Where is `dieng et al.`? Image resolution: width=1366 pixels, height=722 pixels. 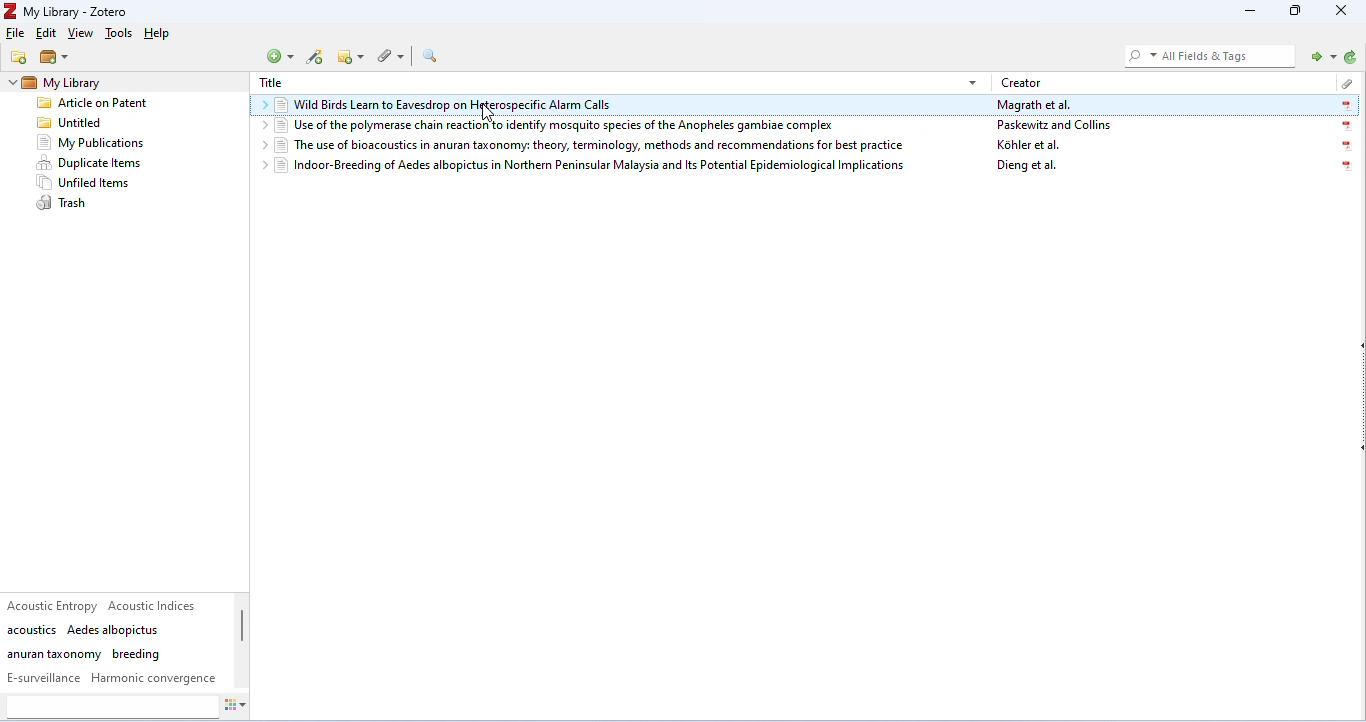
dieng et al. is located at coordinates (1028, 167).